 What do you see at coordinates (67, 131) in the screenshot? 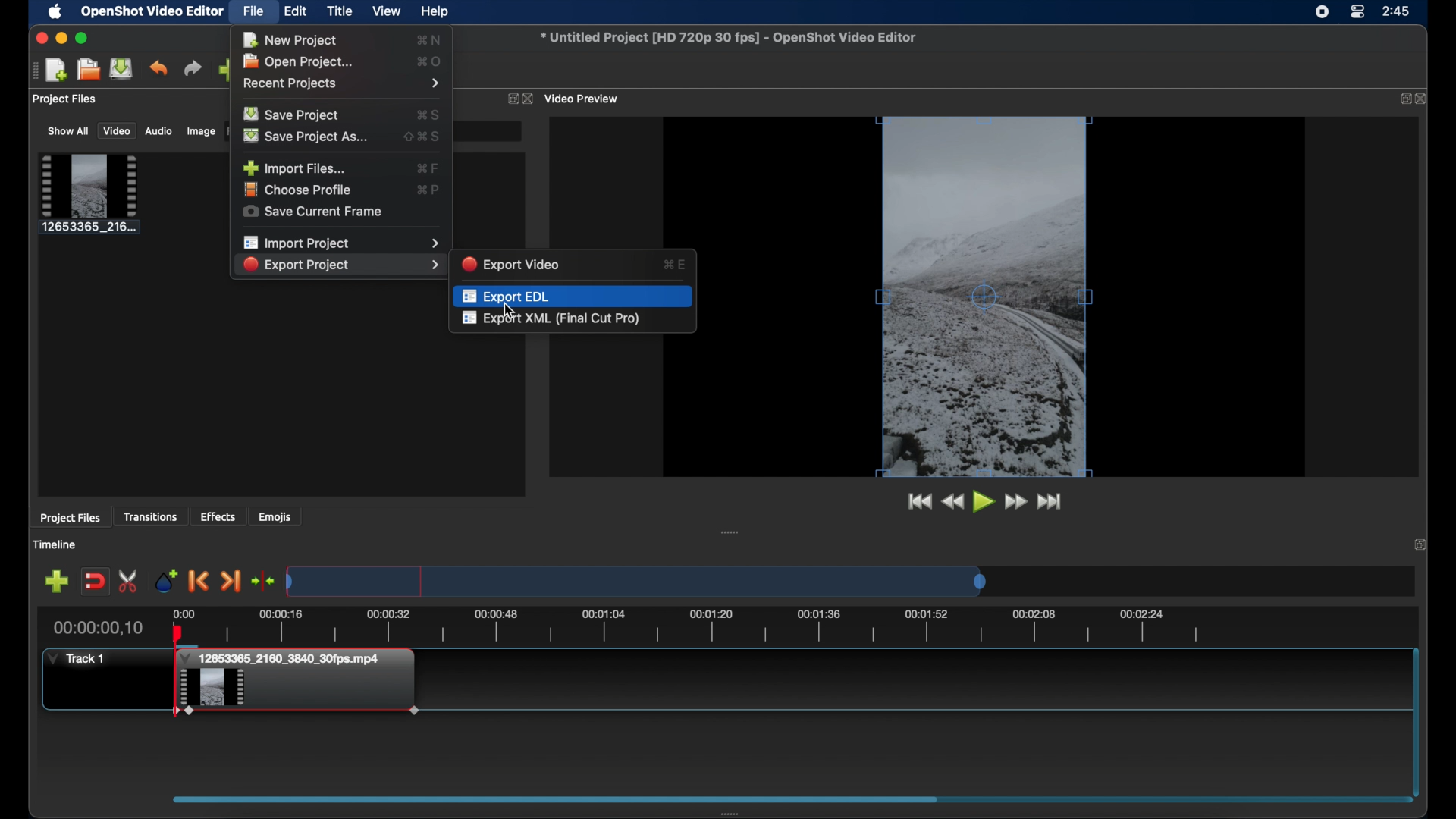
I see `show all` at bounding box center [67, 131].